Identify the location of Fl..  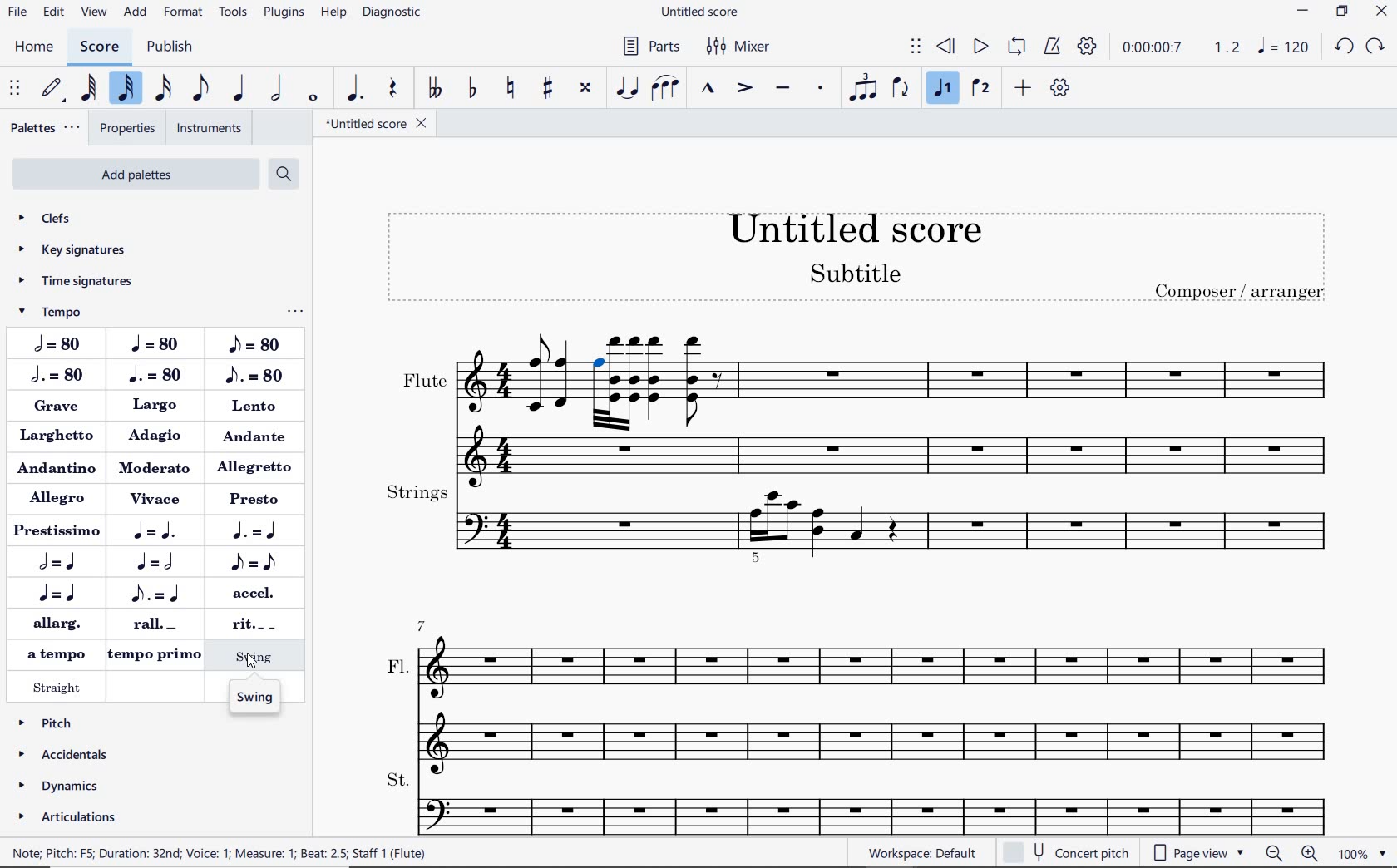
(870, 688).